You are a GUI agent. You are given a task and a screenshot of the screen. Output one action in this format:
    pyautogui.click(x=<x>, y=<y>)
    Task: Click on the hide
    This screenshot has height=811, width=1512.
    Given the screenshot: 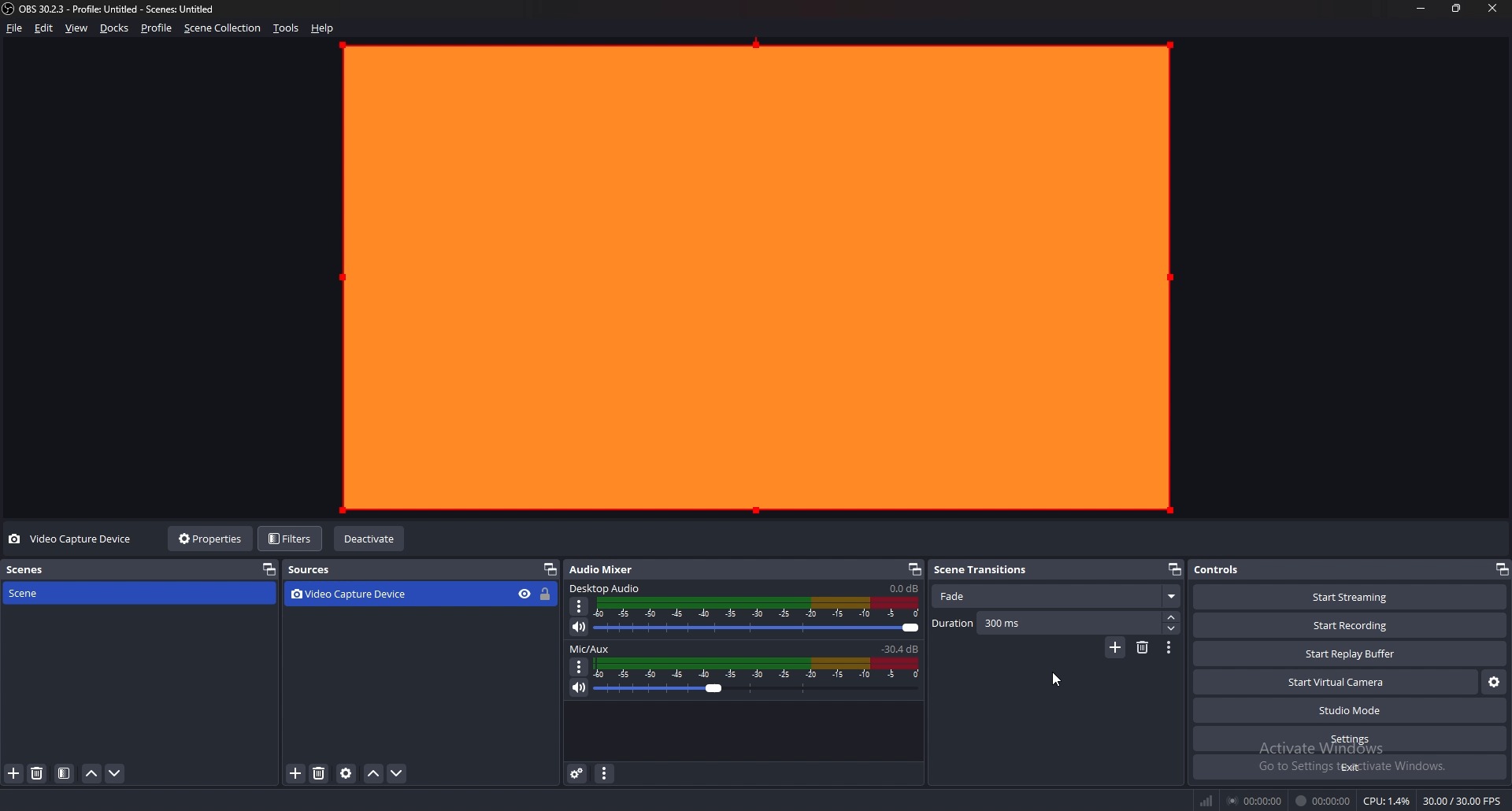 What is the action you would take?
    pyautogui.click(x=524, y=594)
    